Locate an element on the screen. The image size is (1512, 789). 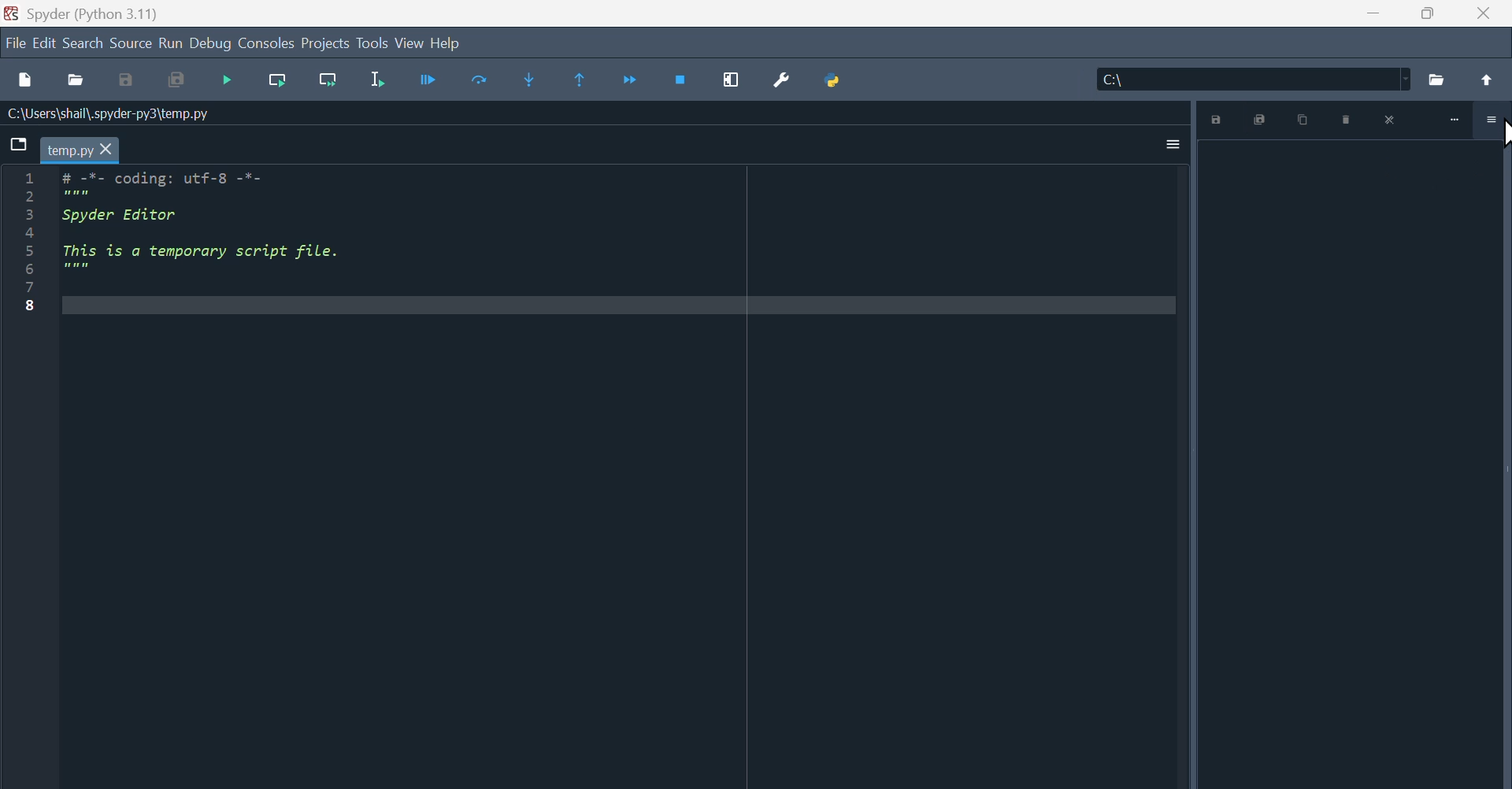
Search is located at coordinates (81, 42).